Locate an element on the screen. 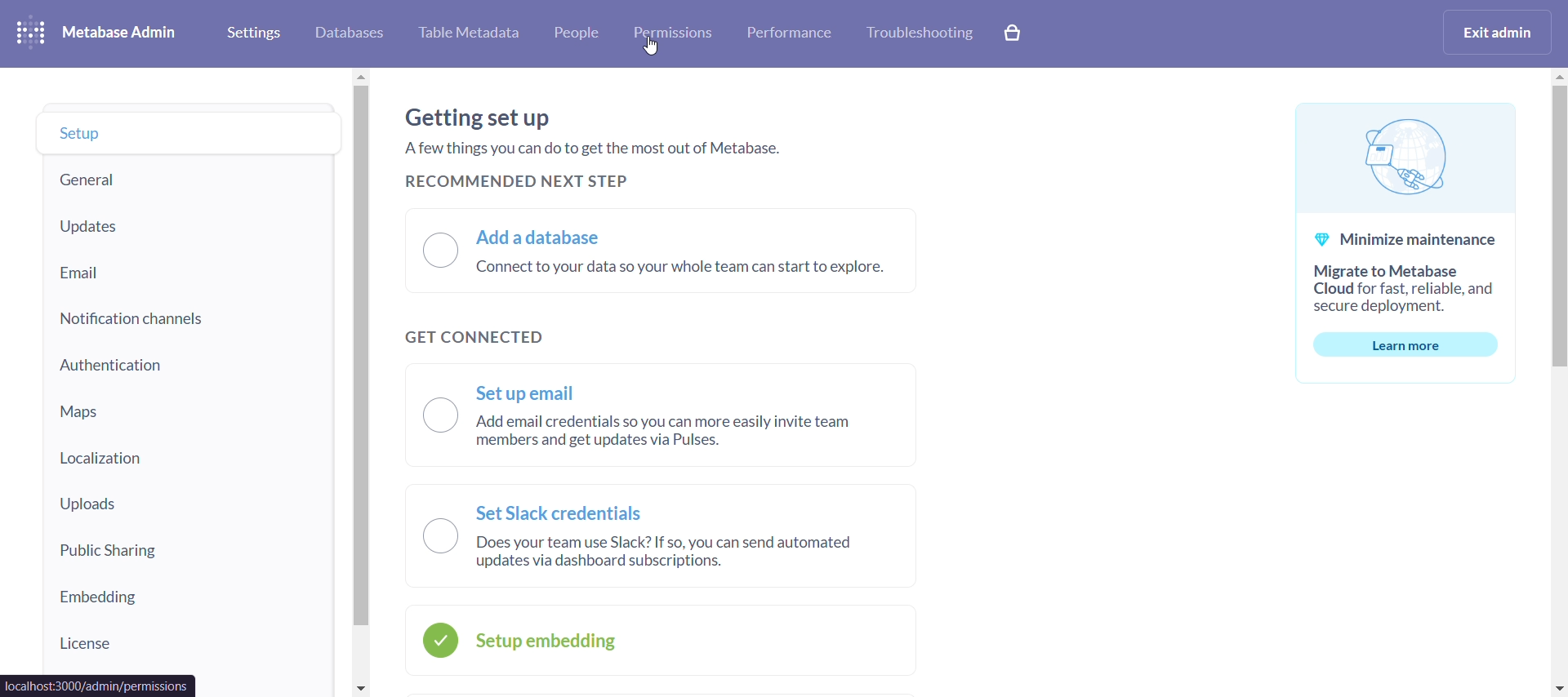 This screenshot has height=697, width=1568. setup is located at coordinates (191, 132).